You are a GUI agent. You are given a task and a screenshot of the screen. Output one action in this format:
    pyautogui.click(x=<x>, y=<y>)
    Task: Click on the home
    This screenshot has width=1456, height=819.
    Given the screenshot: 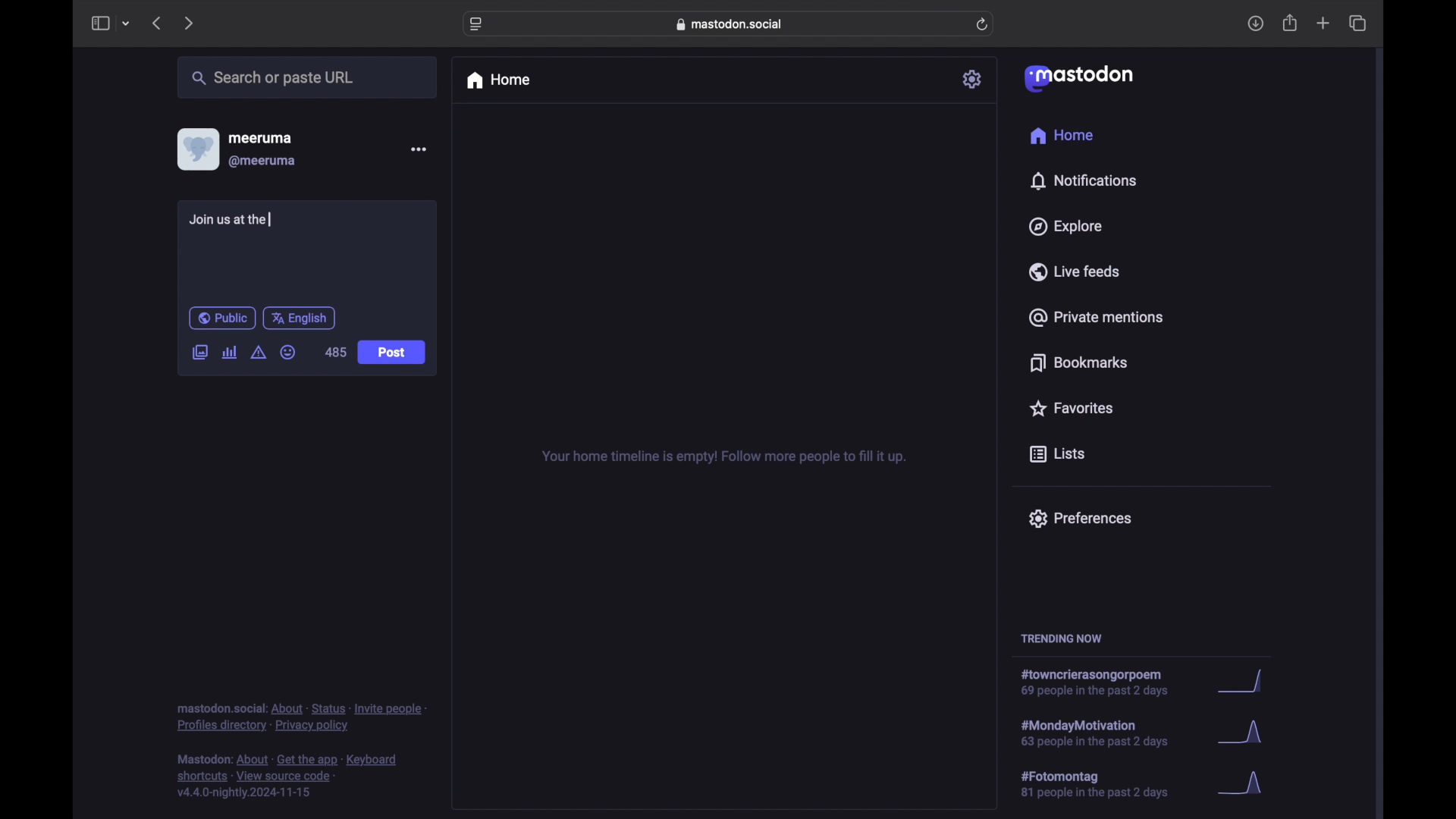 What is the action you would take?
    pyautogui.click(x=497, y=80)
    